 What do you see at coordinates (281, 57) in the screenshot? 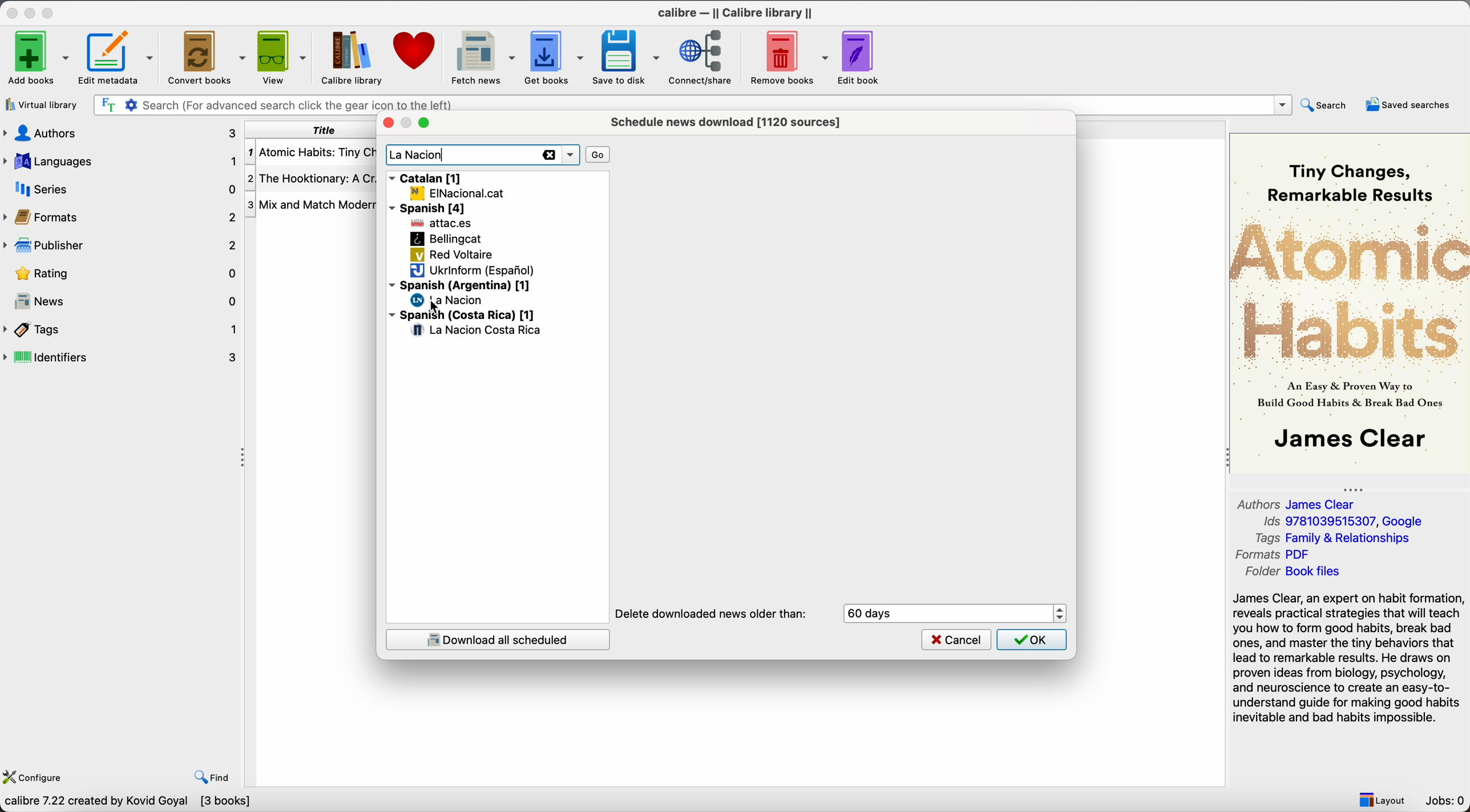
I see `view` at bounding box center [281, 57].